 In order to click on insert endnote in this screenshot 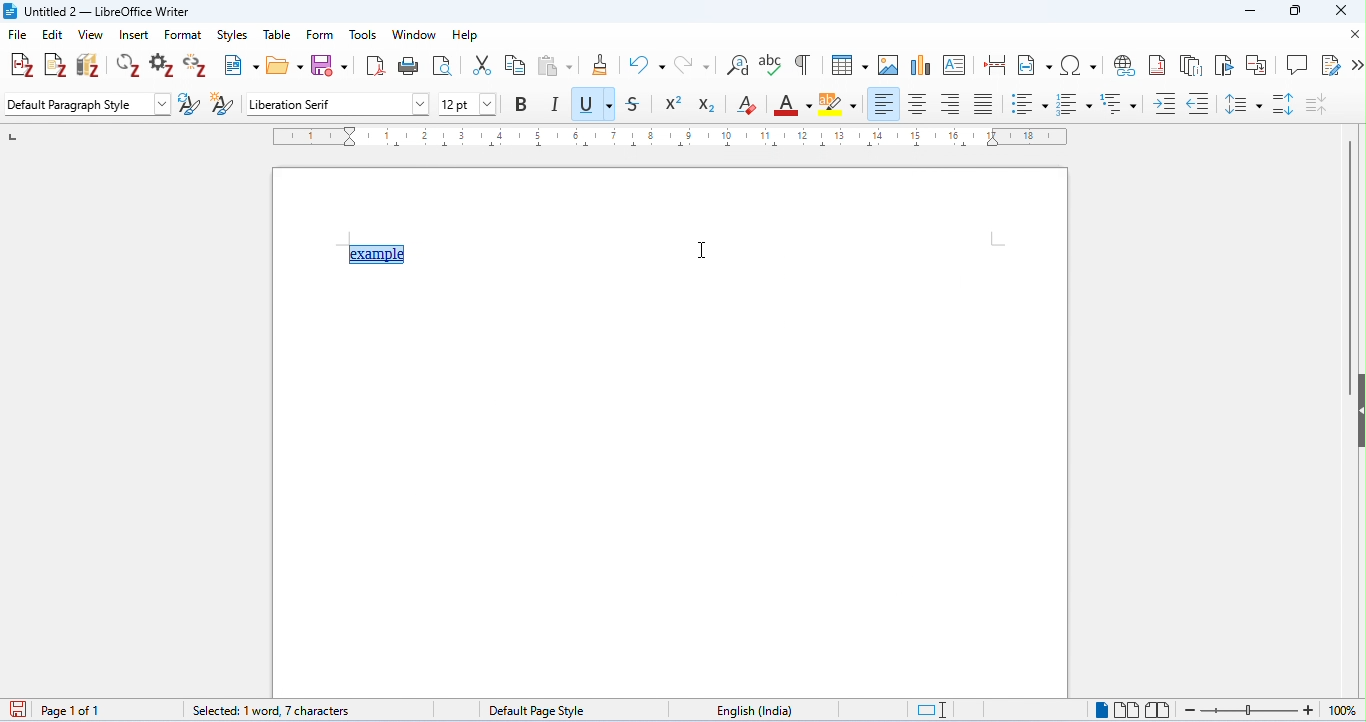, I will do `click(1193, 65)`.